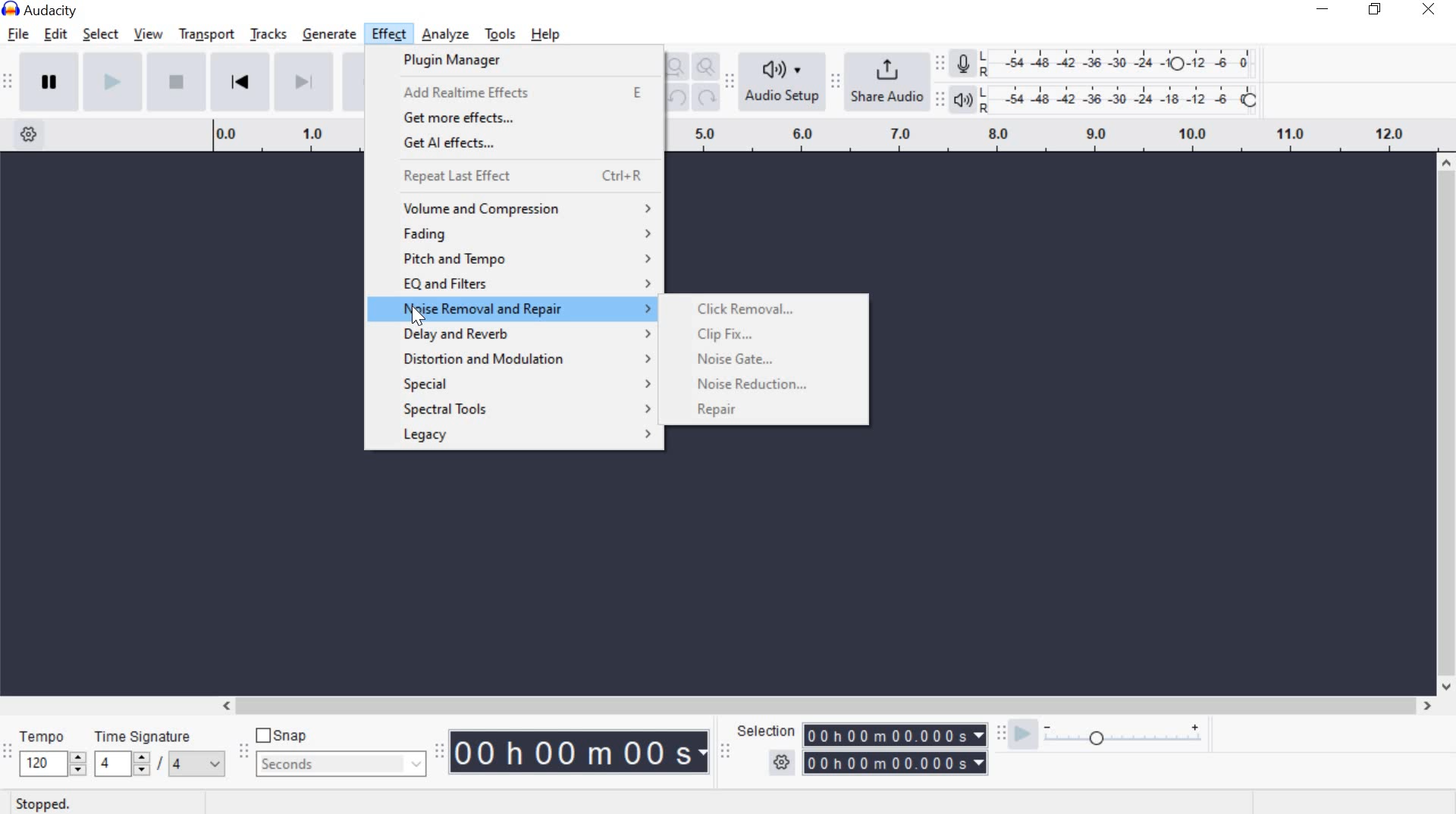  I want to click on Skip to Start, so click(242, 83).